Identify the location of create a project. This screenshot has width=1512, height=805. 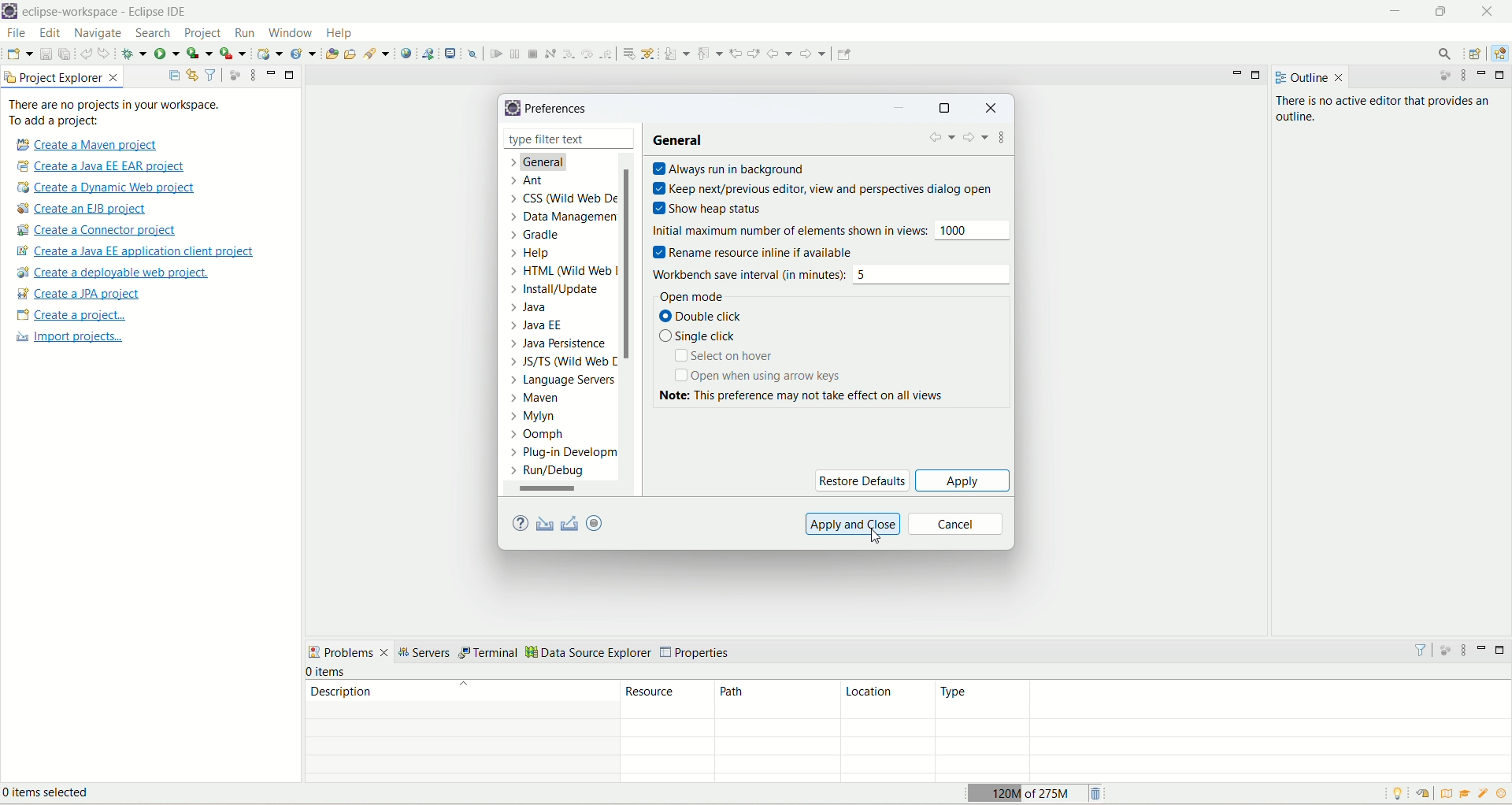
(69, 316).